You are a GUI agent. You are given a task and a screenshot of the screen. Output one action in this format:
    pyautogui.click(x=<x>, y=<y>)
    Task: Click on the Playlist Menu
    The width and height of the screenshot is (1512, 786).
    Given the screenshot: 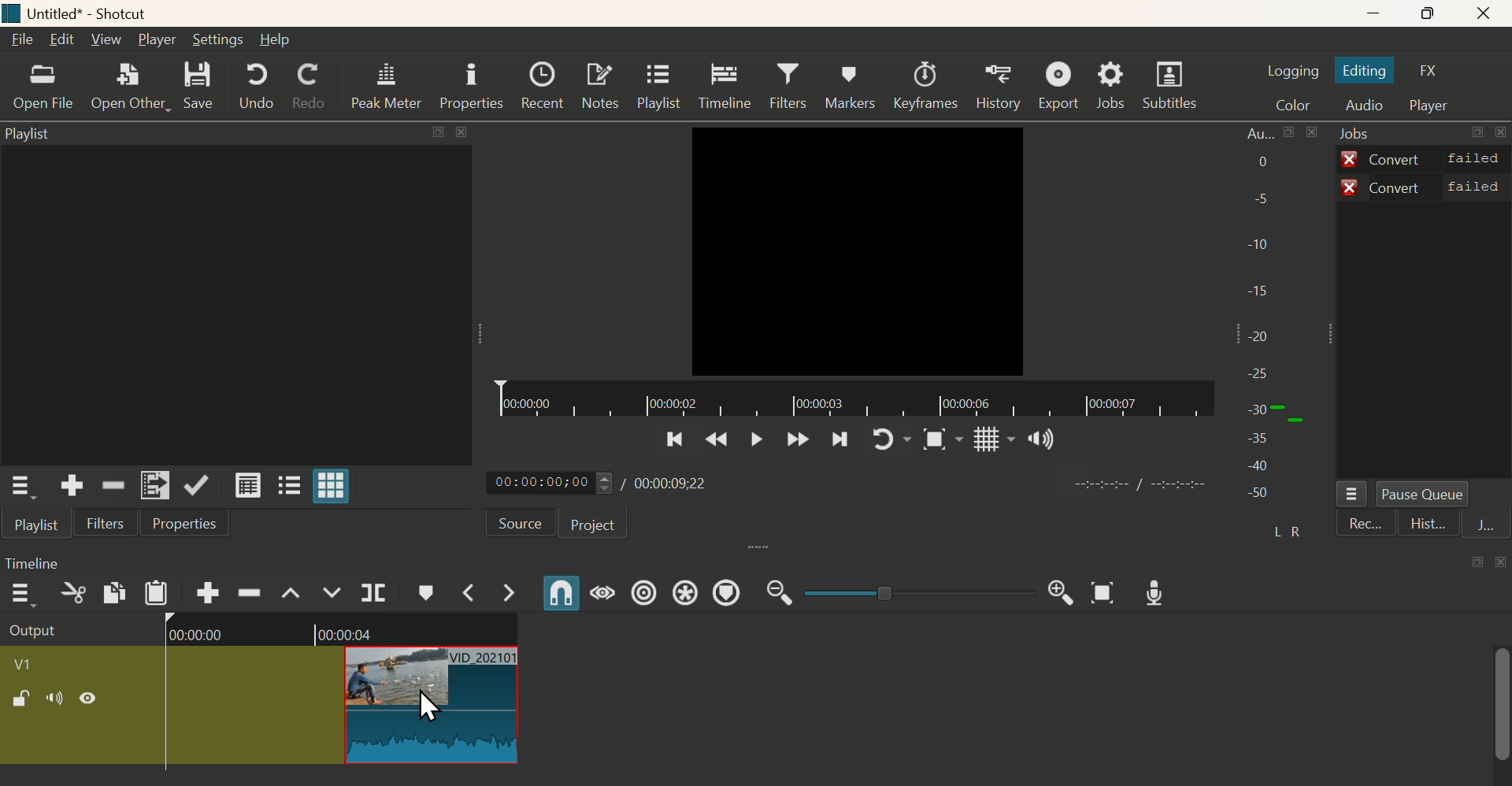 What is the action you would take?
    pyautogui.click(x=27, y=489)
    